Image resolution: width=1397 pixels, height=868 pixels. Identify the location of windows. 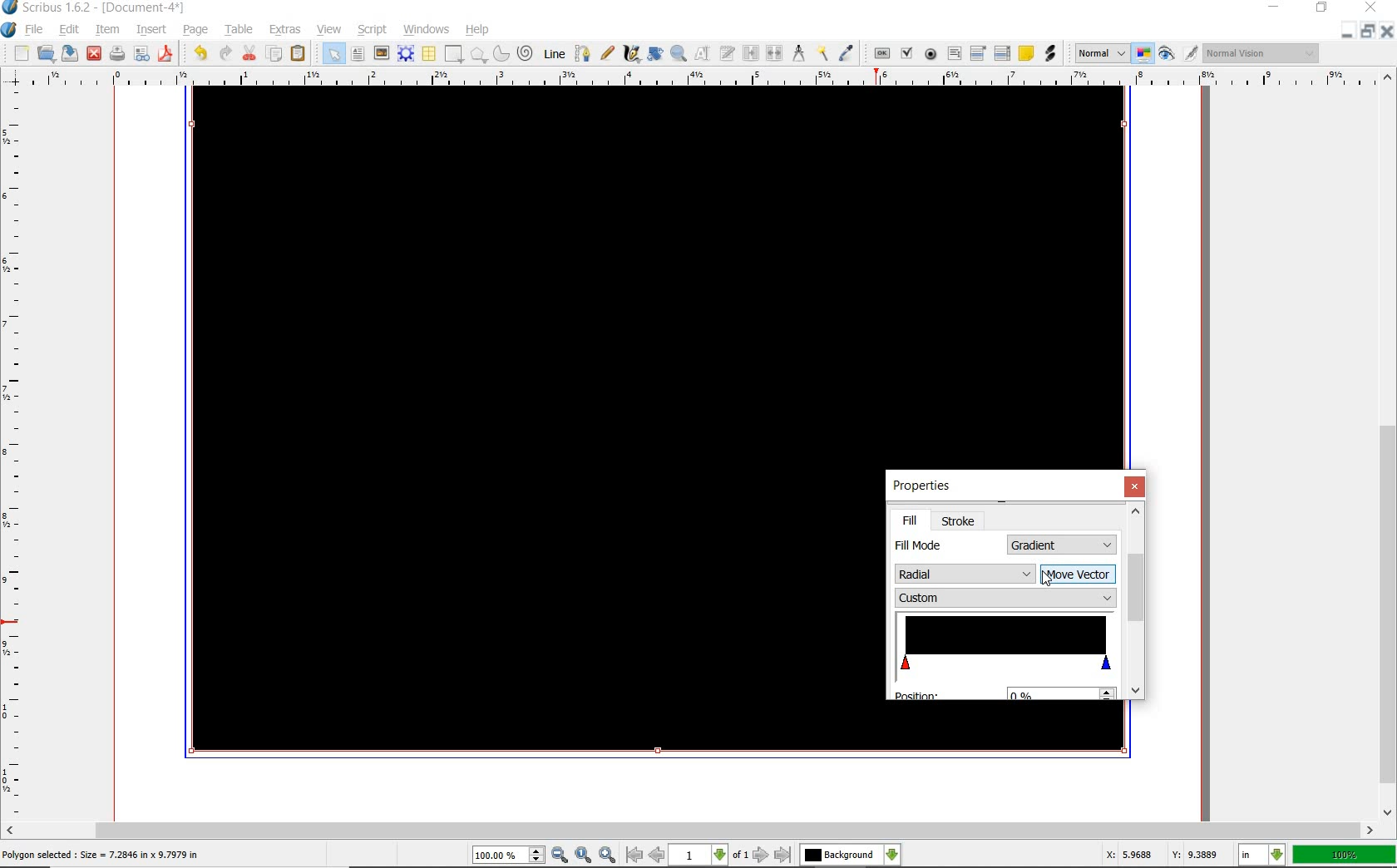
(426, 29).